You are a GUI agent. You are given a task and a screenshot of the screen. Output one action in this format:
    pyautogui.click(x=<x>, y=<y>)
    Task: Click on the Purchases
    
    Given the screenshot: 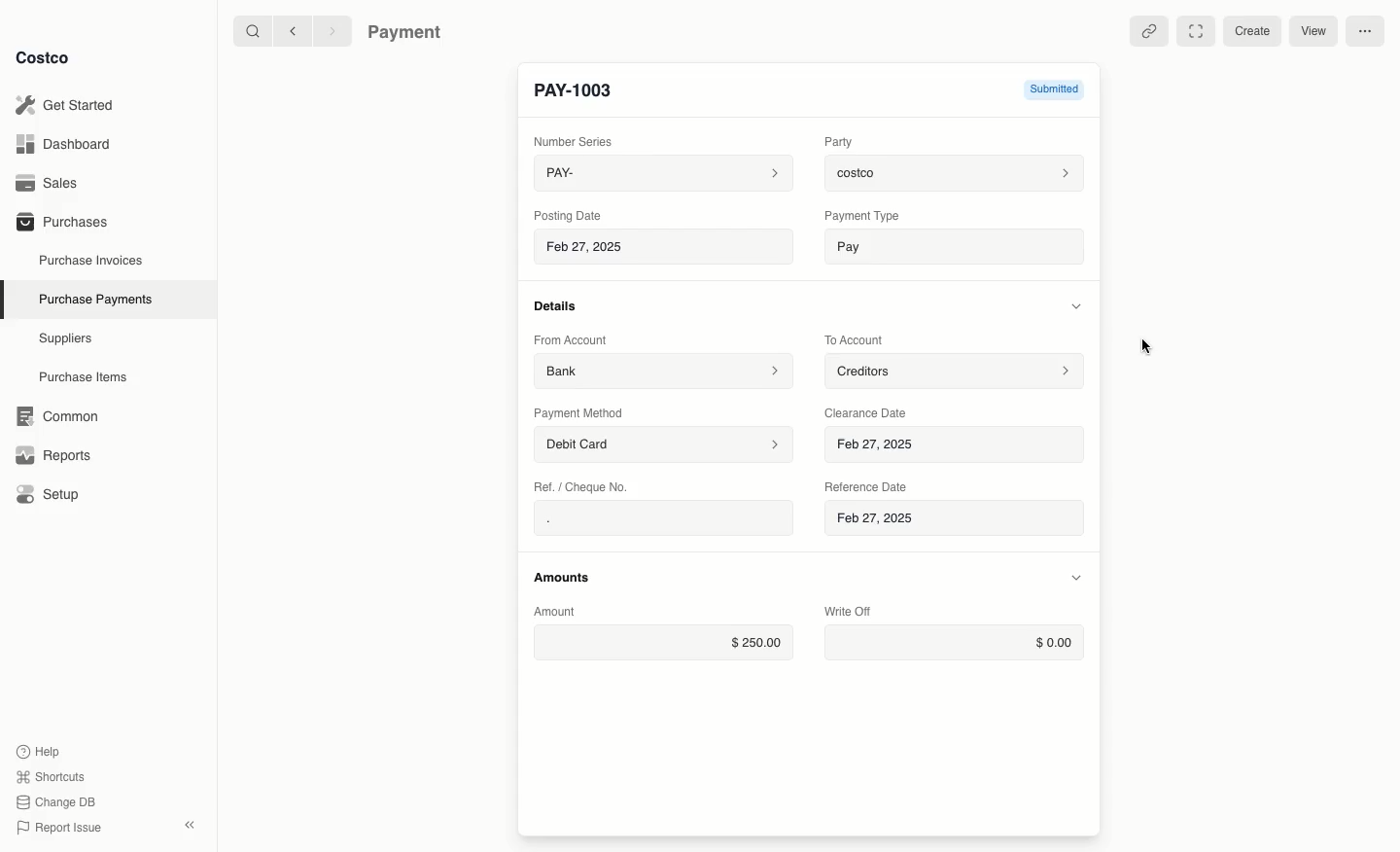 What is the action you would take?
    pyautogui.click(x=61, y=221)
    